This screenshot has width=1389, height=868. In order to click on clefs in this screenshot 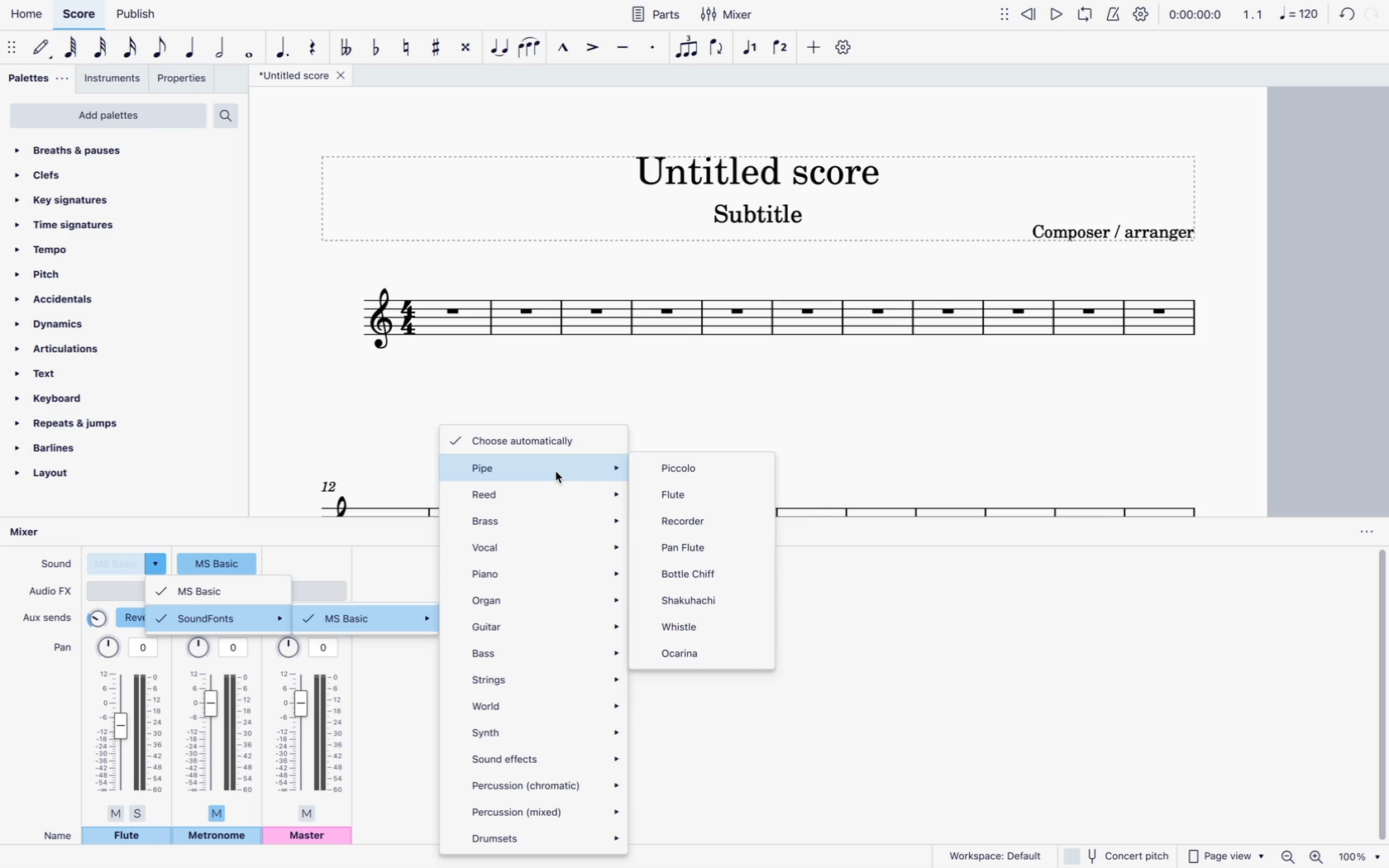, I will do `click(88, 174)`.